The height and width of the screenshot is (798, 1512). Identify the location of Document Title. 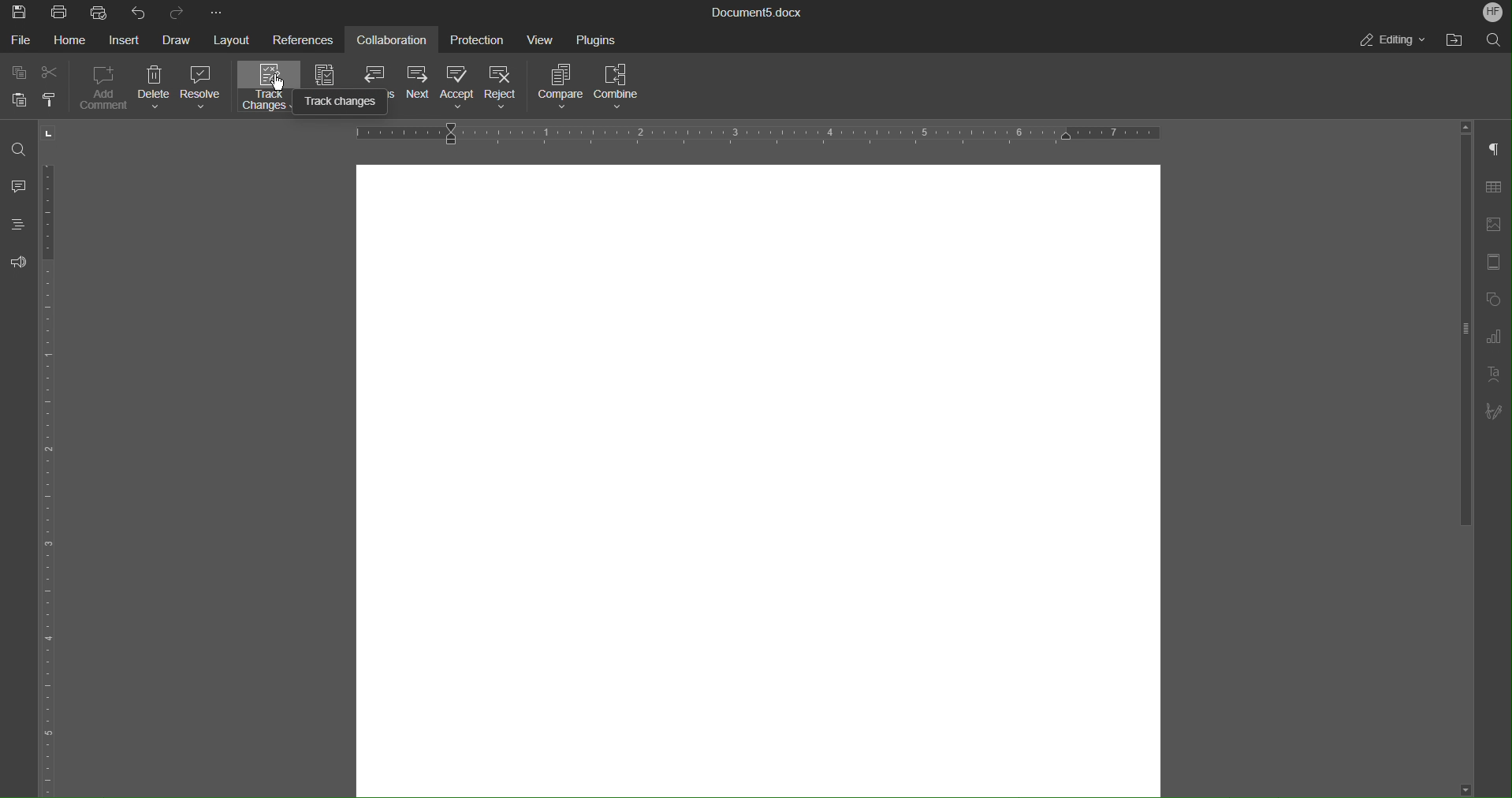
(755, 13).